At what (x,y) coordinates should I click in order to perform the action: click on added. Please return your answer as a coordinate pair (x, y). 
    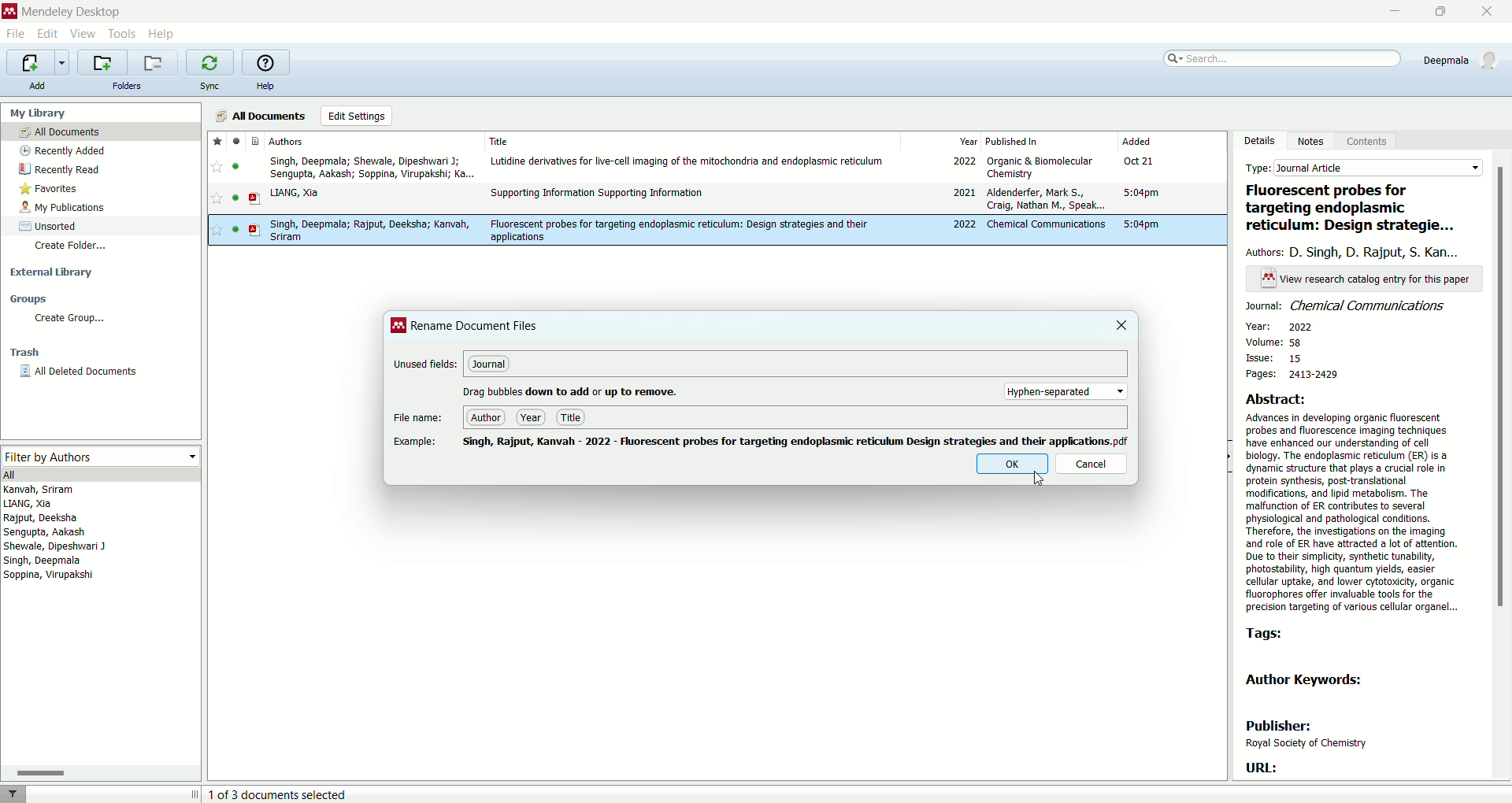
    Looking at the image, I should click on (1169, 141).